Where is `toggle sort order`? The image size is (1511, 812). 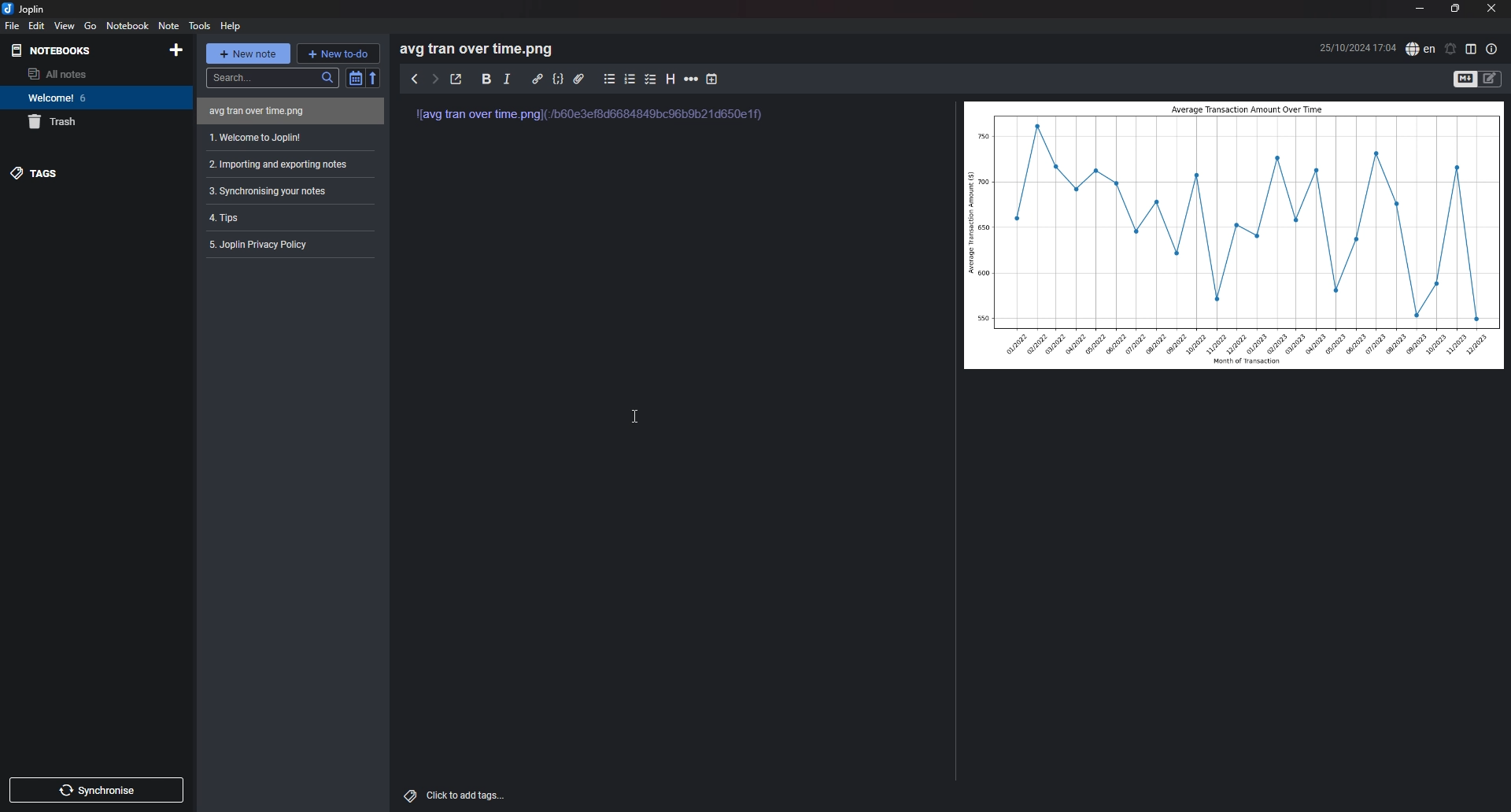
toggle sort order is located at coordinates (353, 78).